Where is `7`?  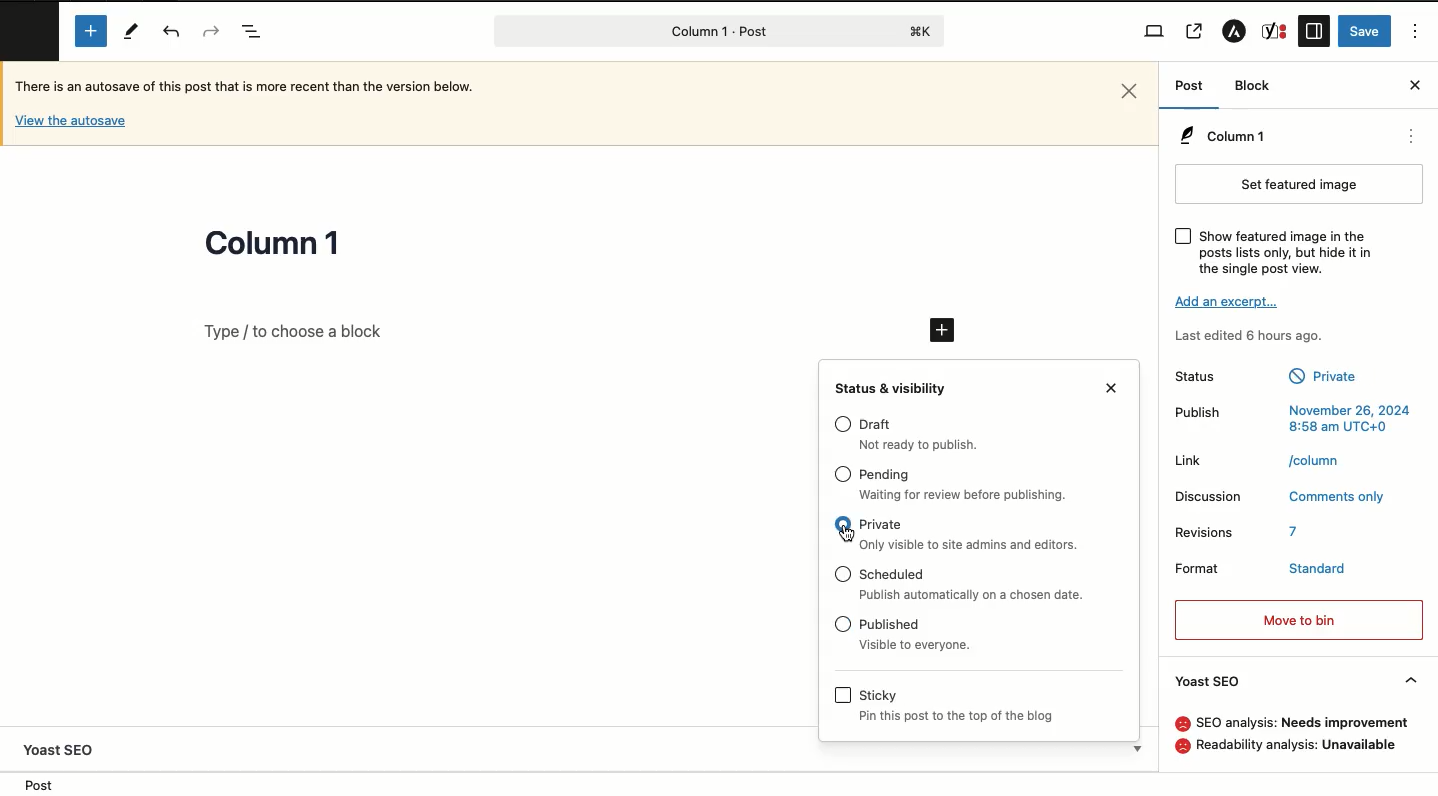
7 is located at coordinates (1297, 532).